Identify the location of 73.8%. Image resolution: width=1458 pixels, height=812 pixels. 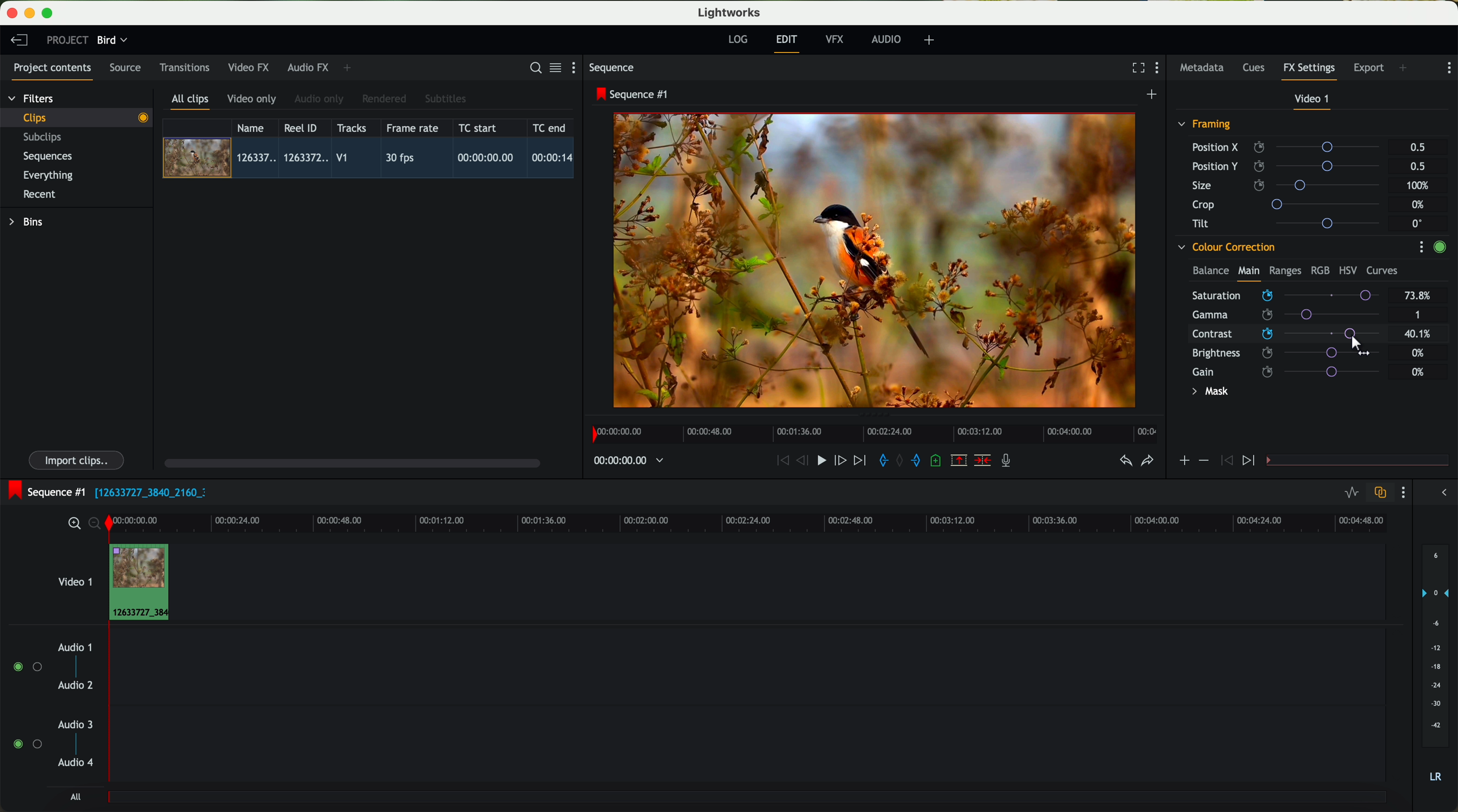
(1418, 296).